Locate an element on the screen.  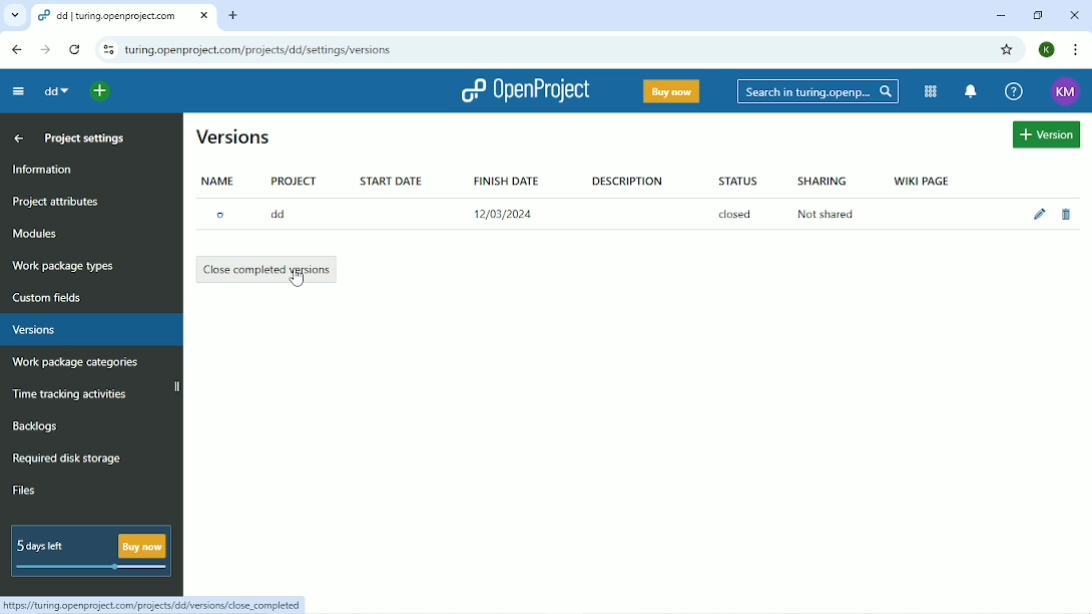
Custom fields is located at coordinates (51, 297).